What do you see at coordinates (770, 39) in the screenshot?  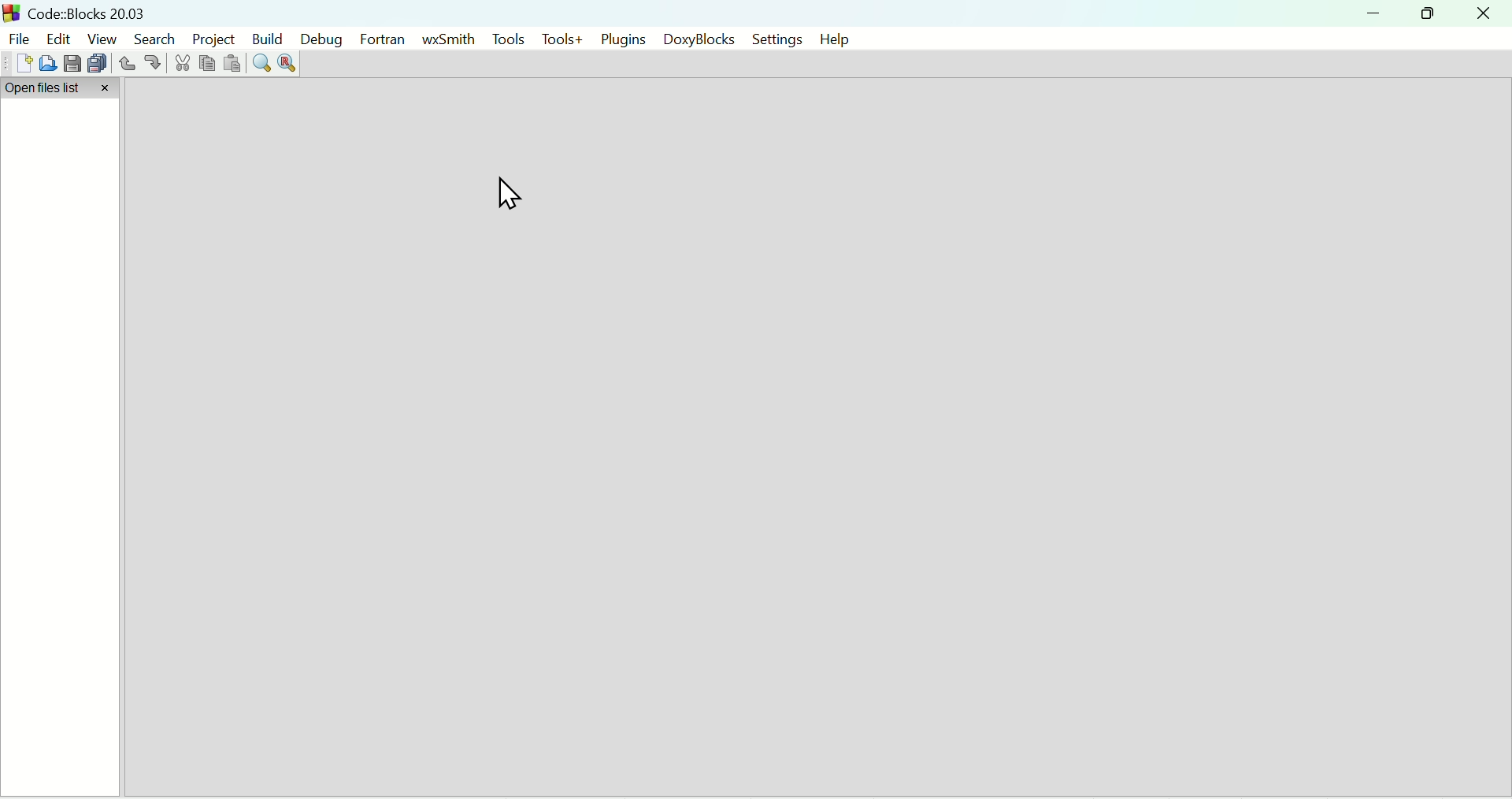 I see ` Settings` at bounding box center [770, 39].